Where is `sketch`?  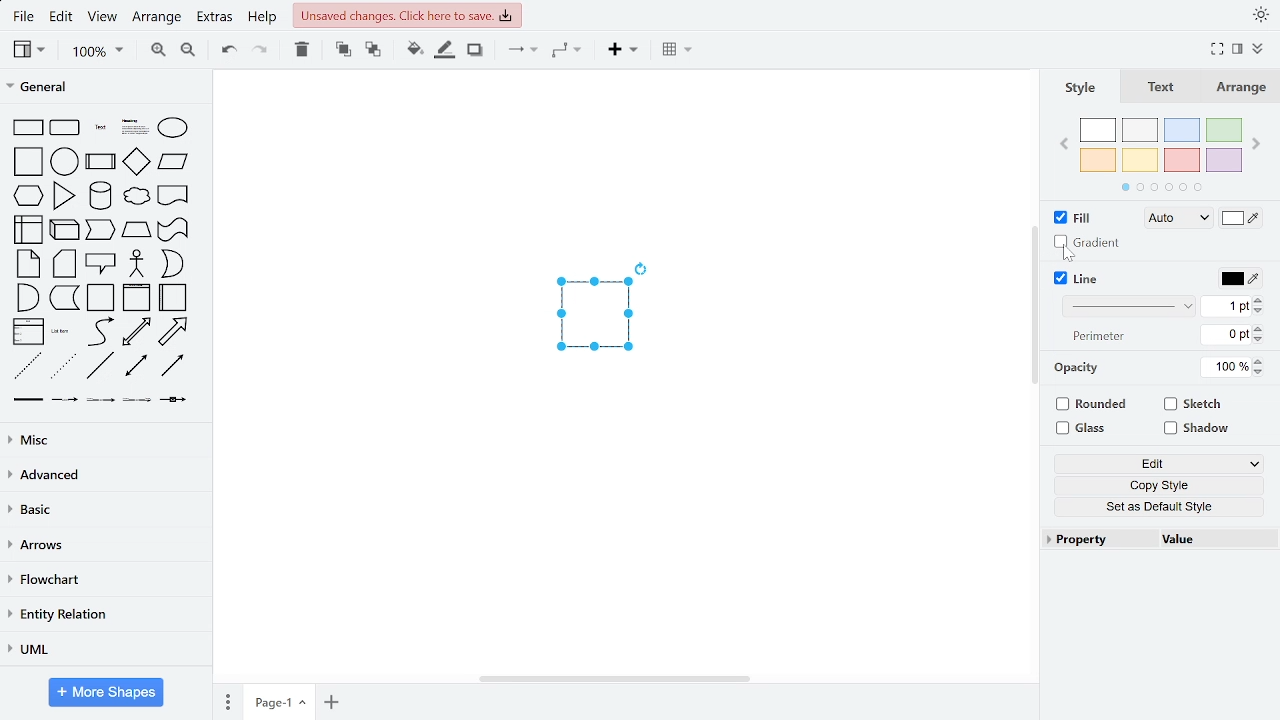
sketch is located at coordinates (1194, 404).